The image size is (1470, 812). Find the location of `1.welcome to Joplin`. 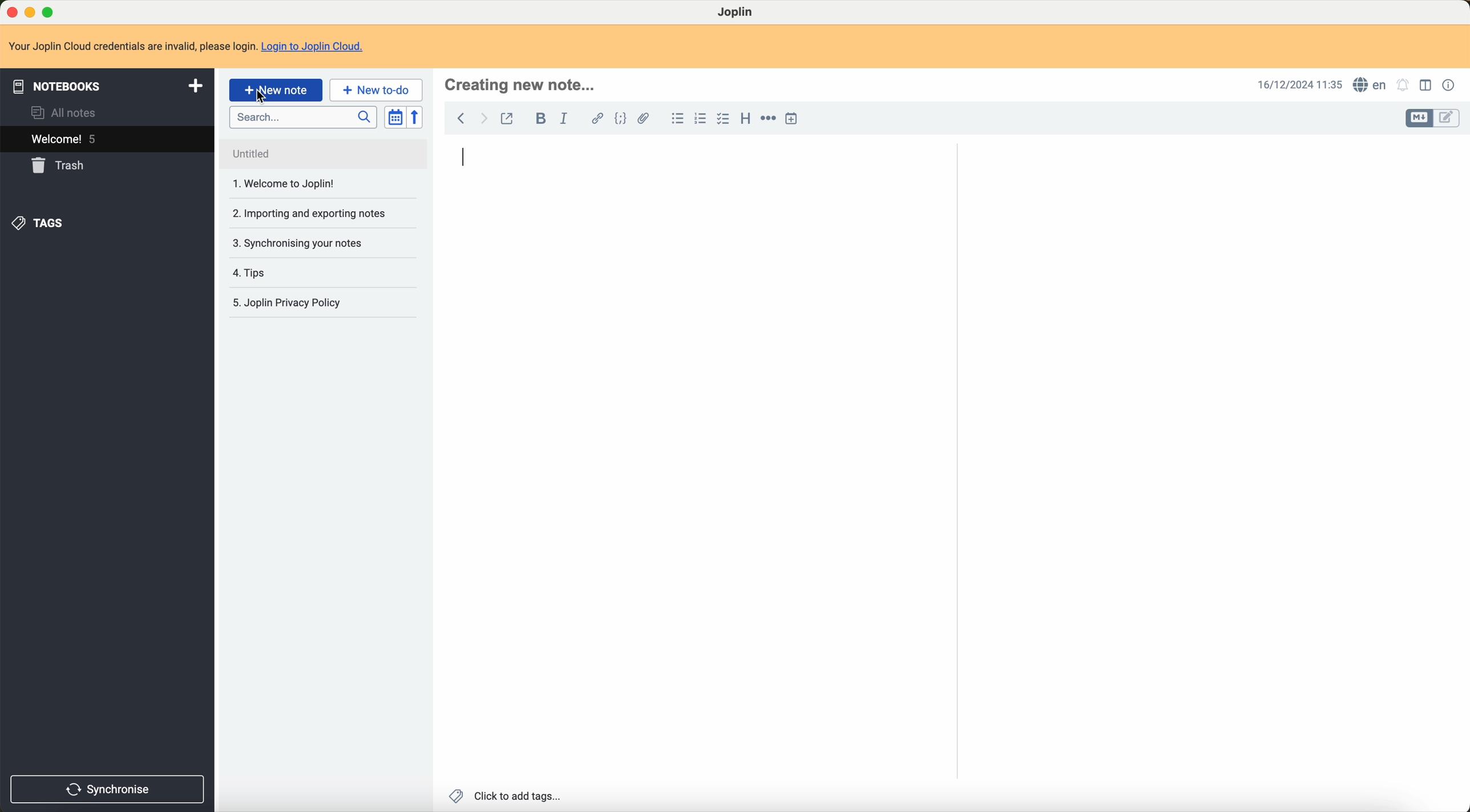

1.welcome to Joplin is located at coordinates (288, 185).